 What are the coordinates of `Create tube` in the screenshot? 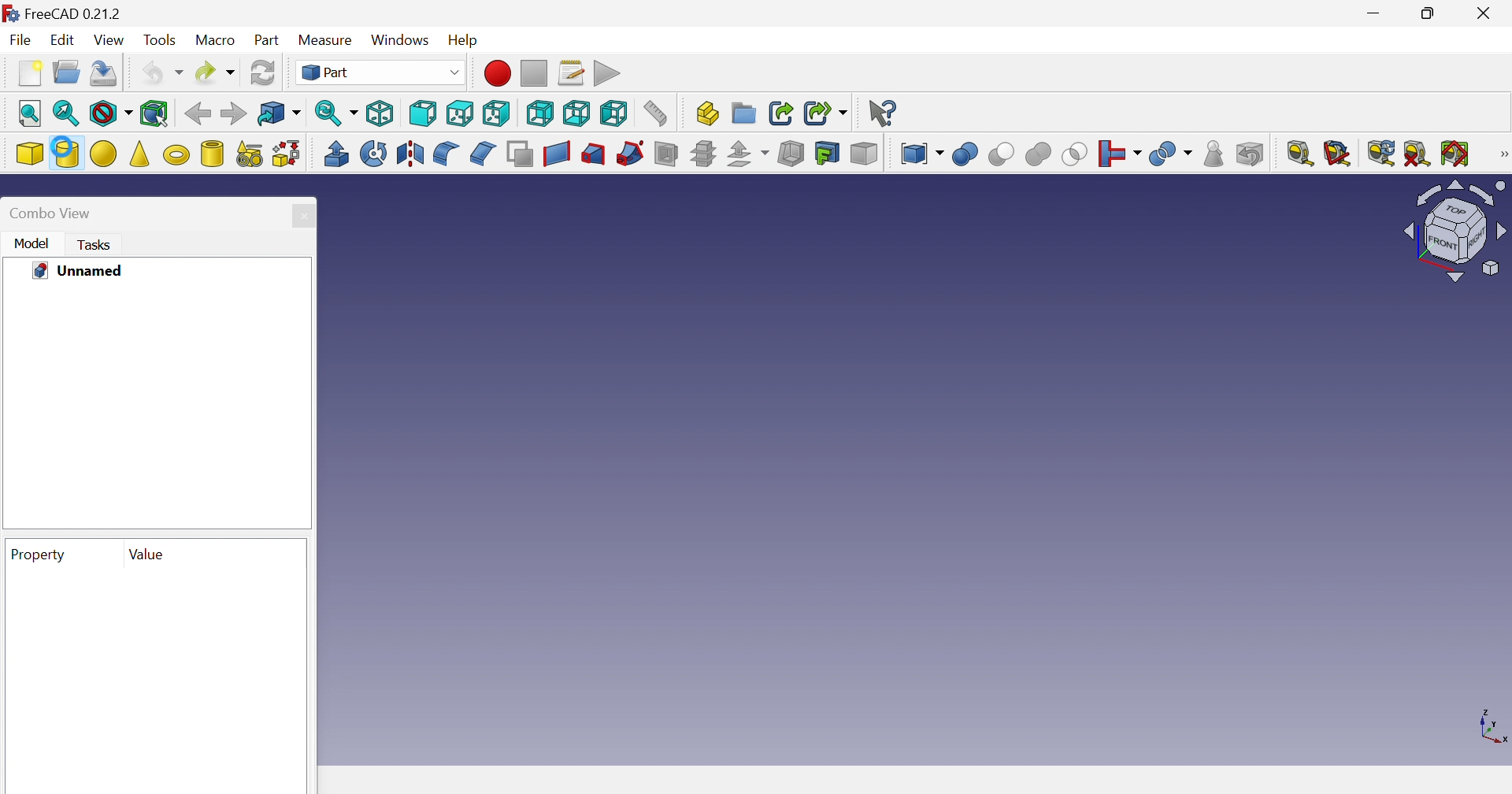 It's located at (212, 154).